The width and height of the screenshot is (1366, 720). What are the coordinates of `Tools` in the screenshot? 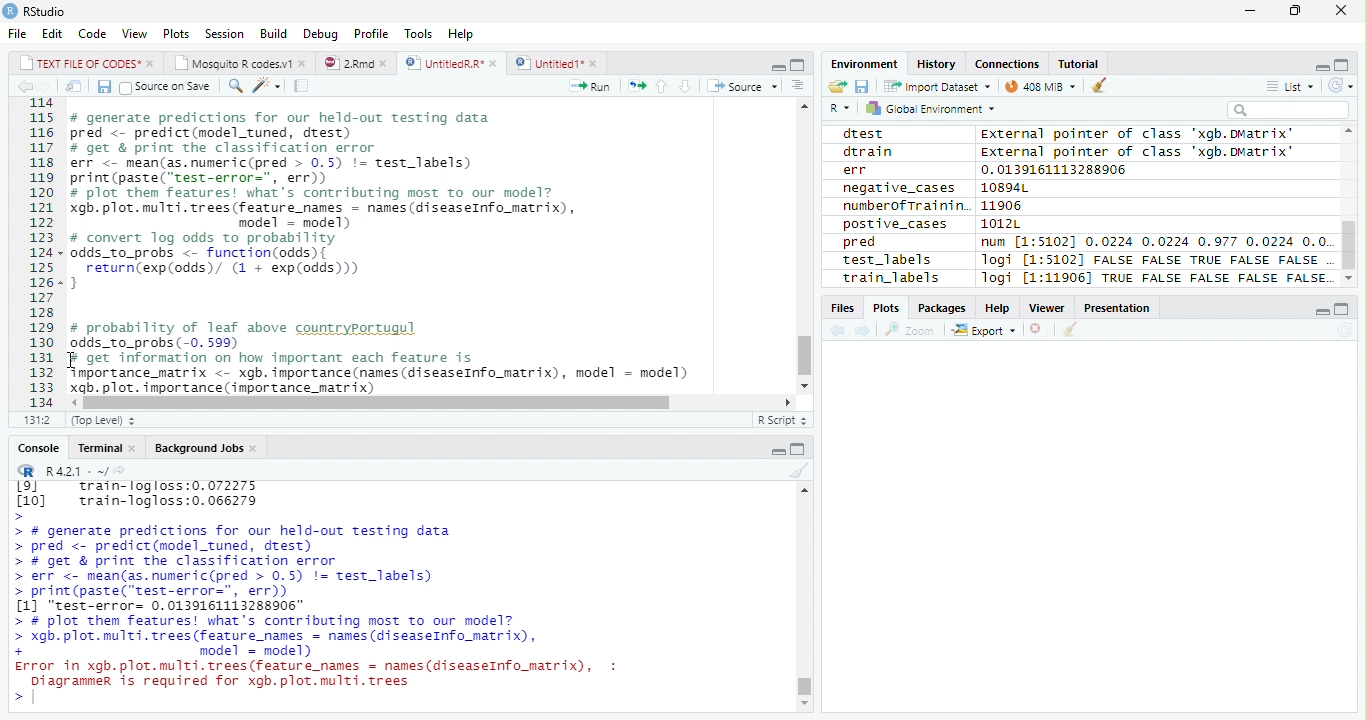 It's located at (418, 33).